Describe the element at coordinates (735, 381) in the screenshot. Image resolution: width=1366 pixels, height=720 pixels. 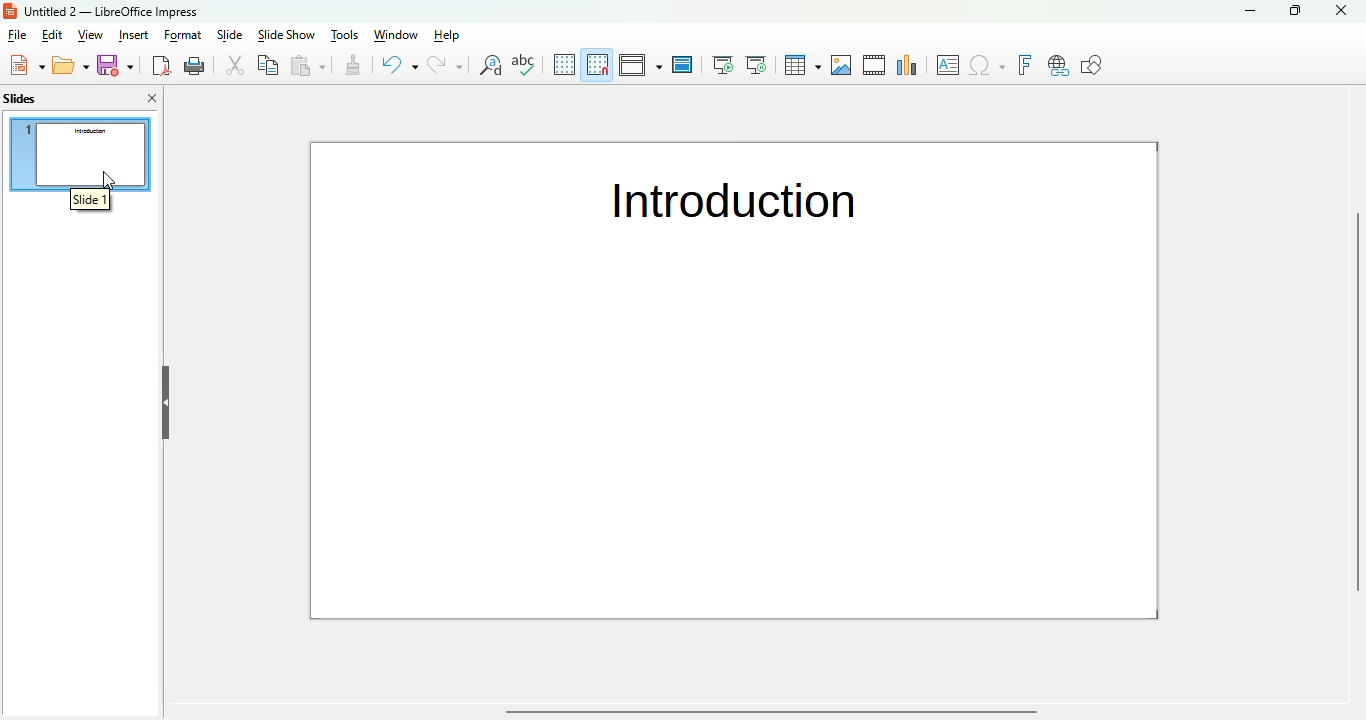
I see `slide 1` at that location.